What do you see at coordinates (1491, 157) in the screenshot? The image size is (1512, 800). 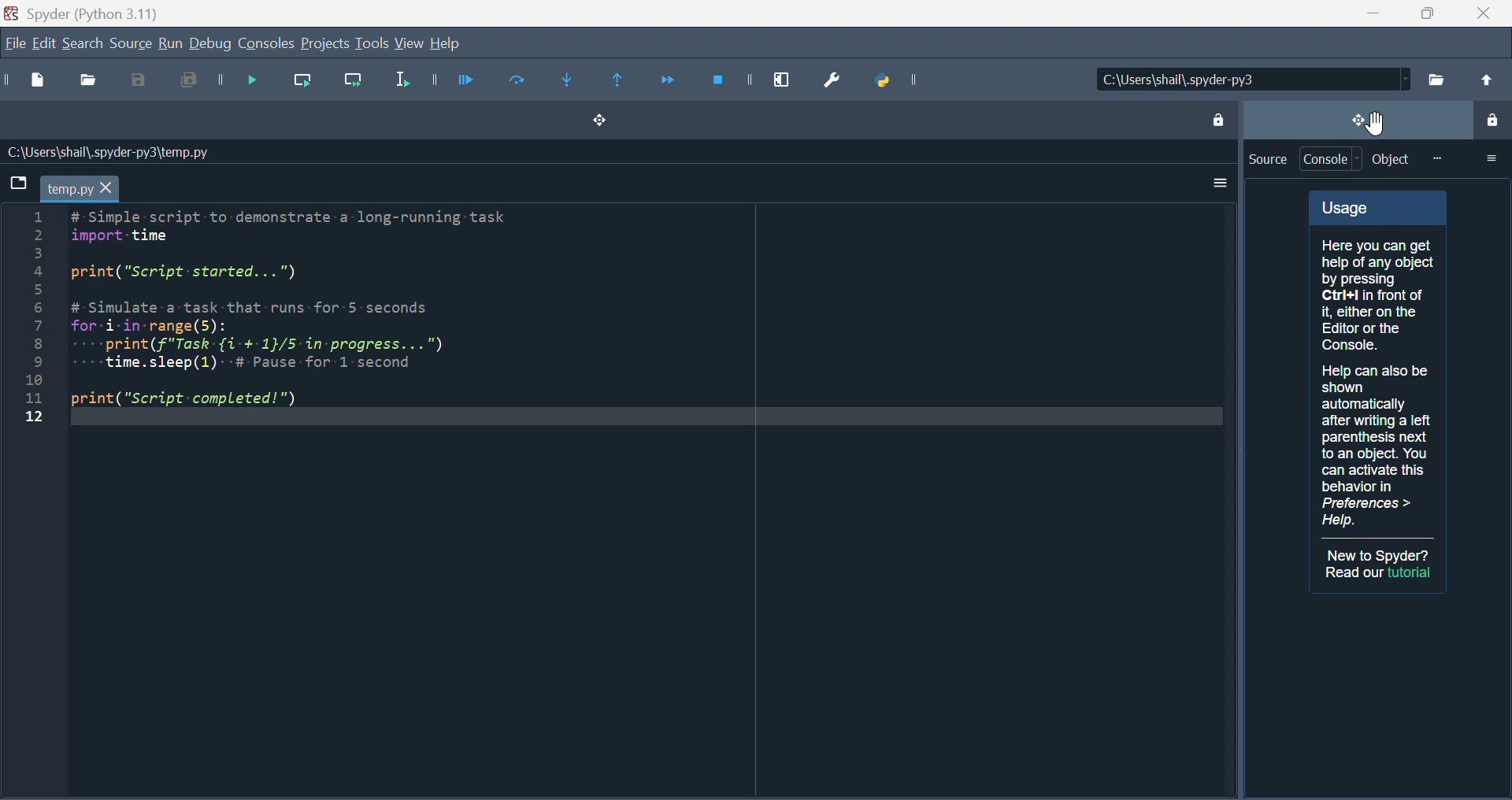 I see `more options` at bounding box center [1491, 157].